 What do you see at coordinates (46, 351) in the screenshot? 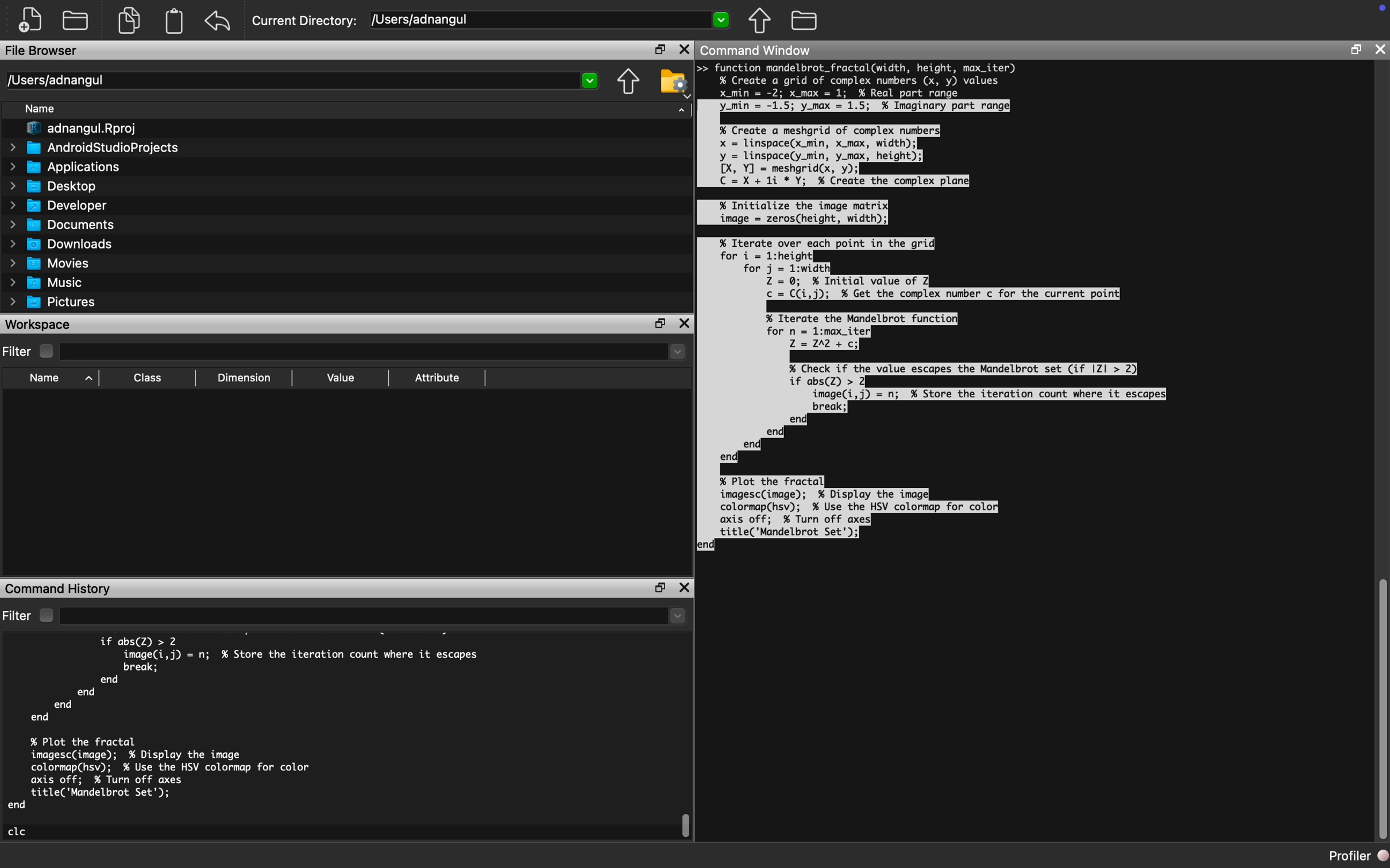
I see `Checkbox` at bounding box center [46, 351].